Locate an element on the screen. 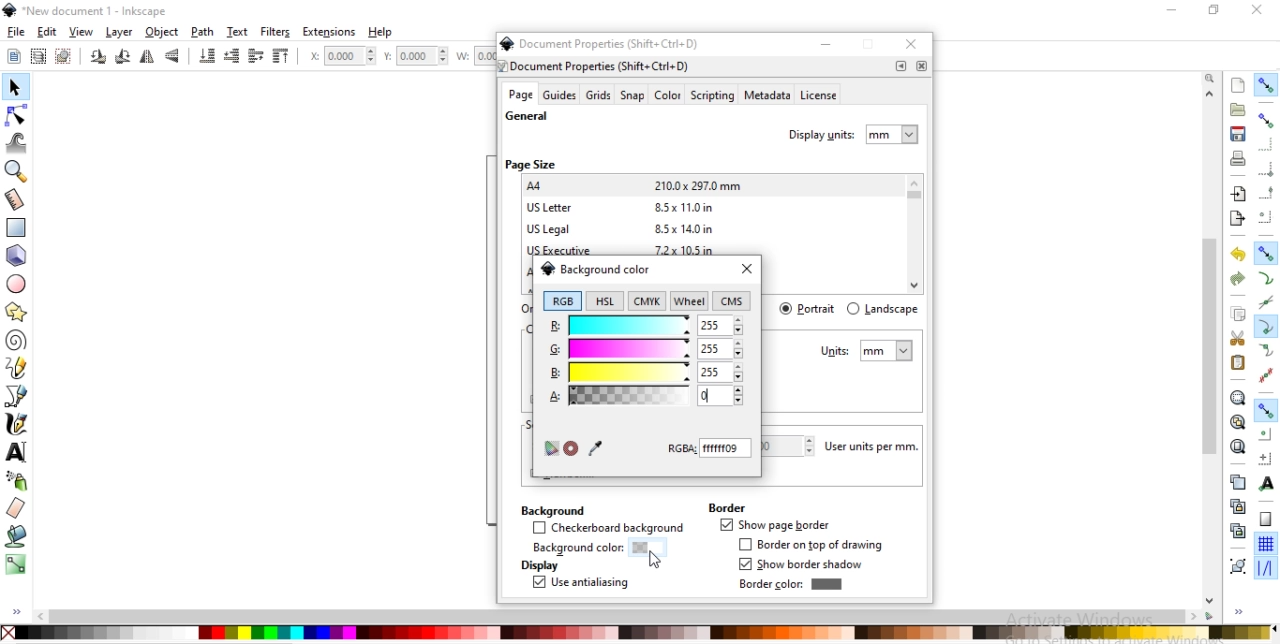 The width and height of the screenshot is (1280, 644). snap centers of objects is located at coordinates (1265, 434).